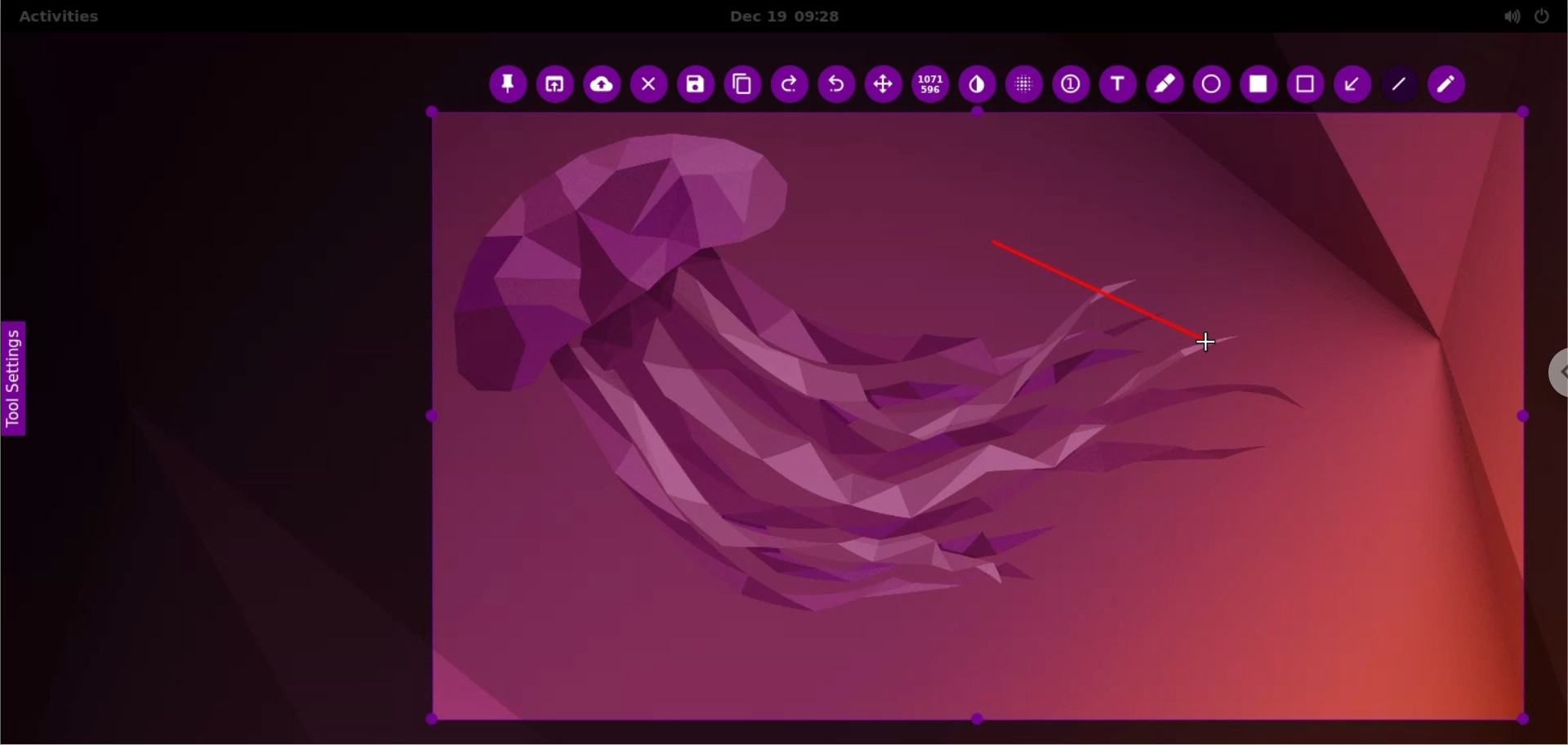 This screenshot has height=745, width=1568. Describe the element at coordinates (1026, 84) in the screenshot. I see `pixellete ` at that location.